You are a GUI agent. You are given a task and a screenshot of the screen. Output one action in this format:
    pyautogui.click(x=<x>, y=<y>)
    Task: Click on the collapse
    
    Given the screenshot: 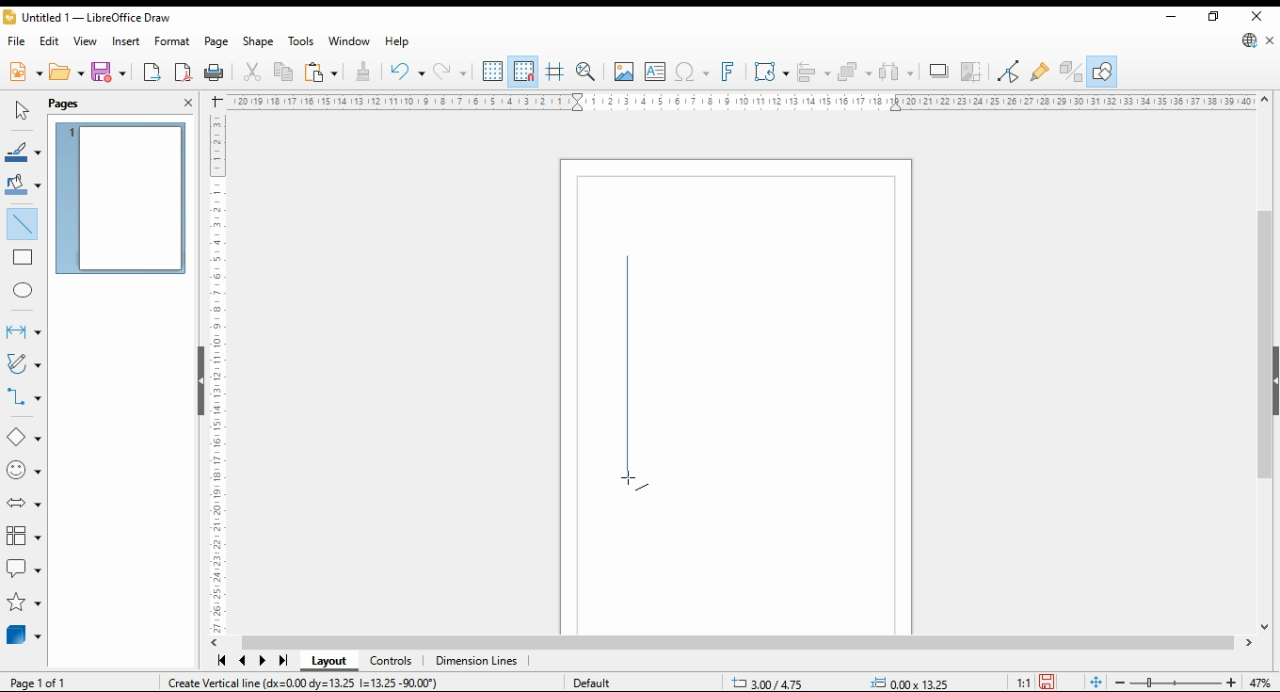 What is the action you would take?
    pyautogui.click(x=199, y=379)
    